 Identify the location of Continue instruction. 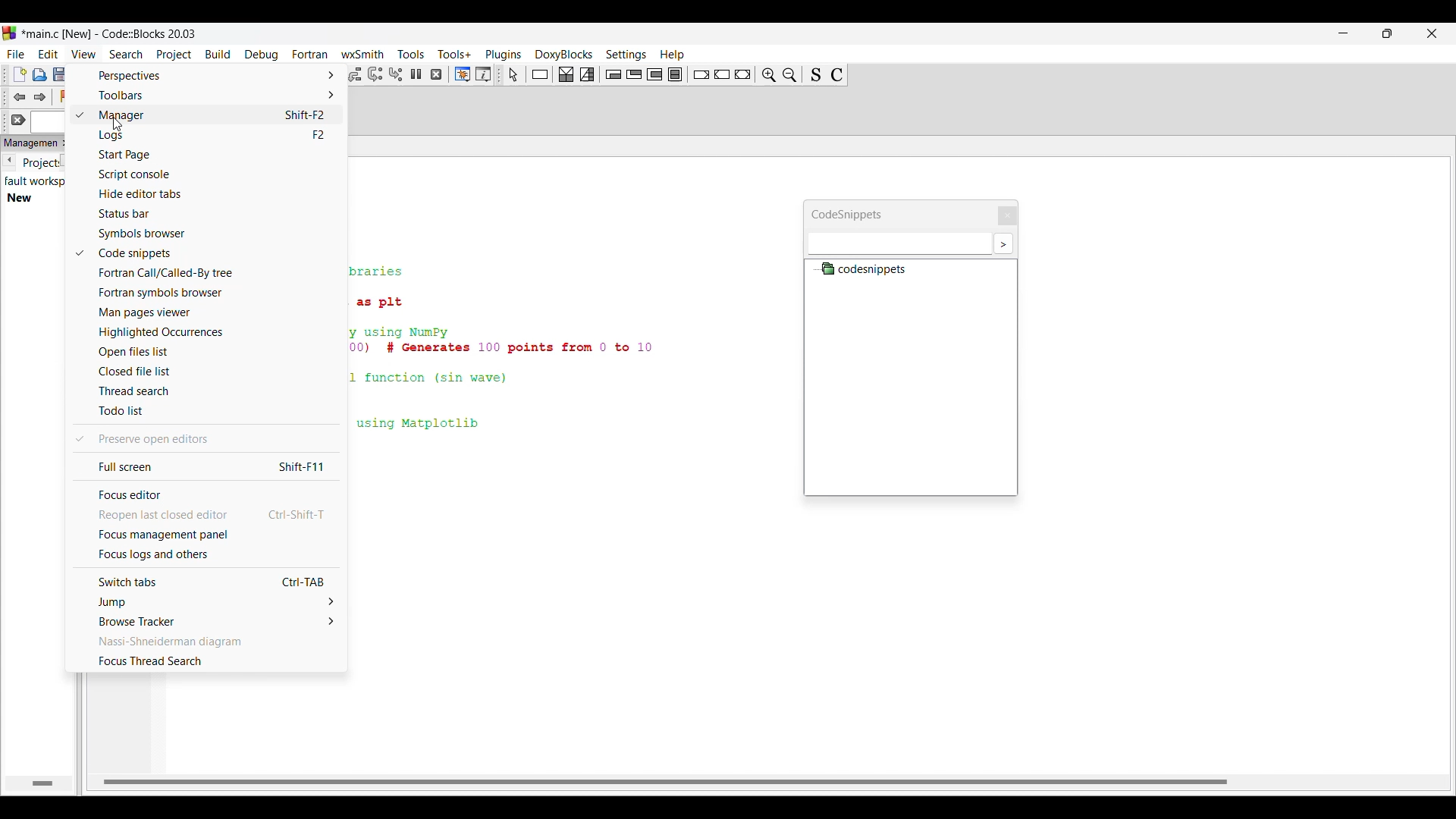
(722, 74).